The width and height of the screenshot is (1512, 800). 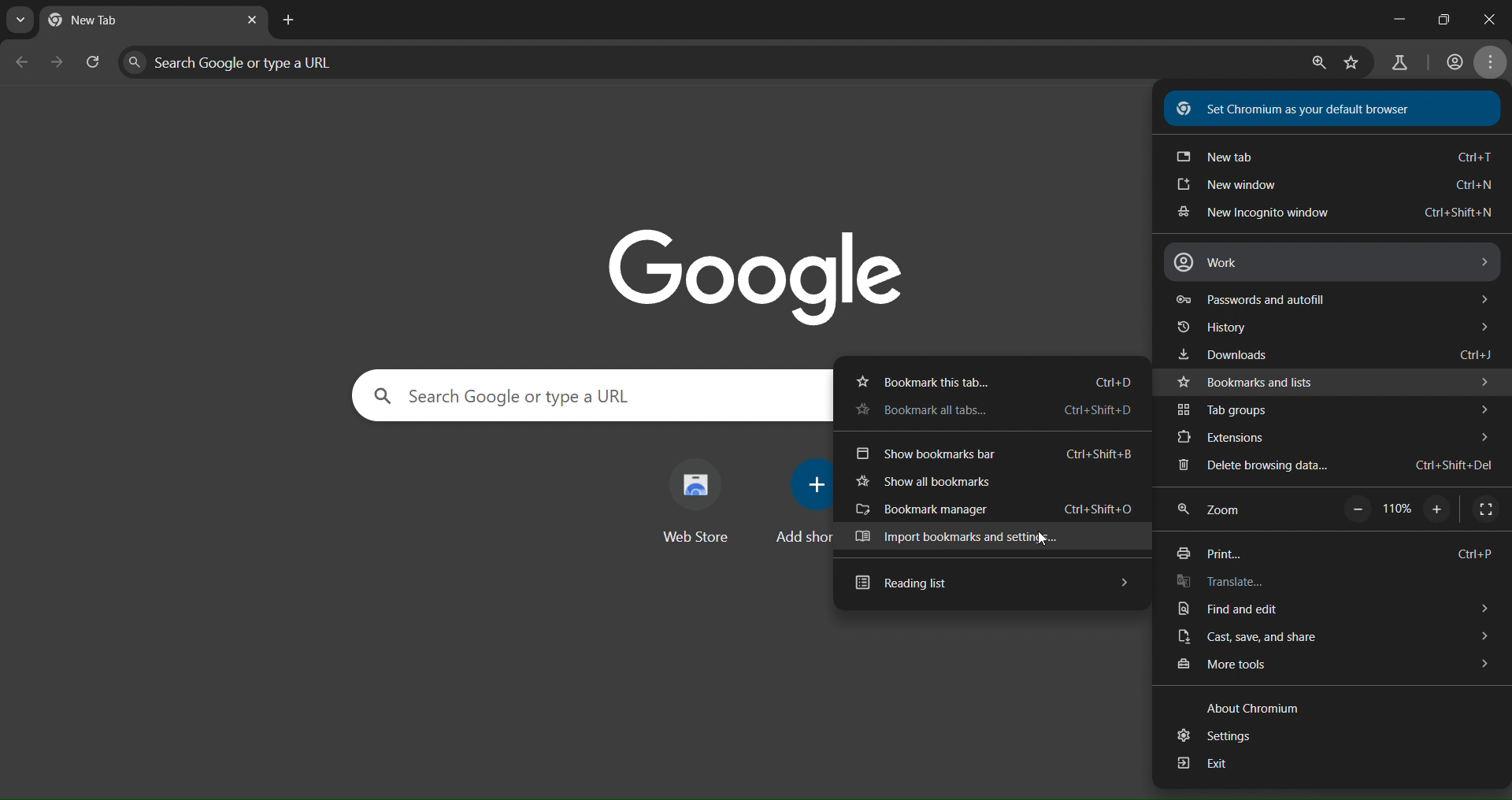 I want to click on bookmark manager, so click(x=992, y=509).